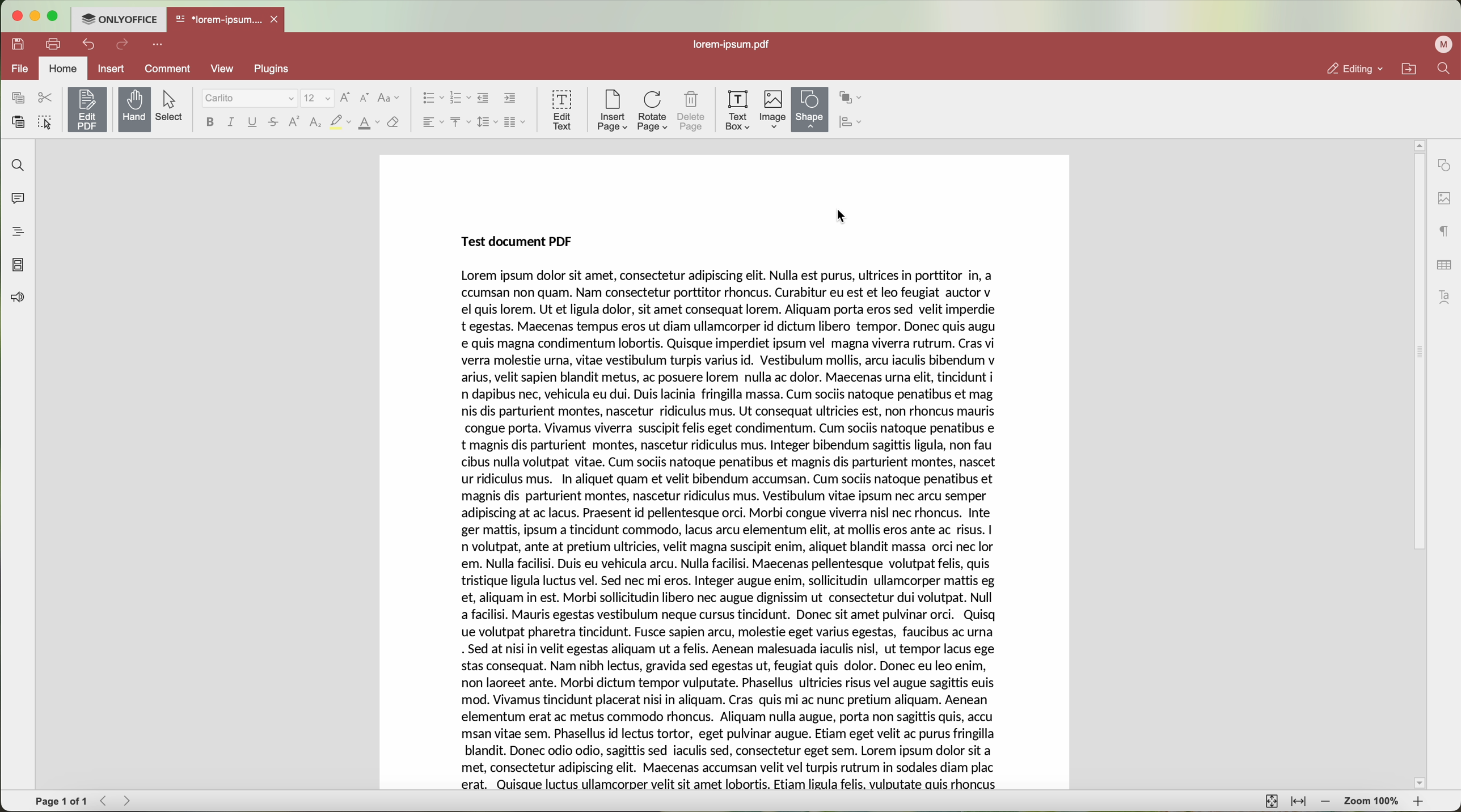 The width and height of the screenshot is (1461, 812). What do you see at coordinates (1441, 45) in the screenshot?
I see `profile` at bounding box center [1441, 45].